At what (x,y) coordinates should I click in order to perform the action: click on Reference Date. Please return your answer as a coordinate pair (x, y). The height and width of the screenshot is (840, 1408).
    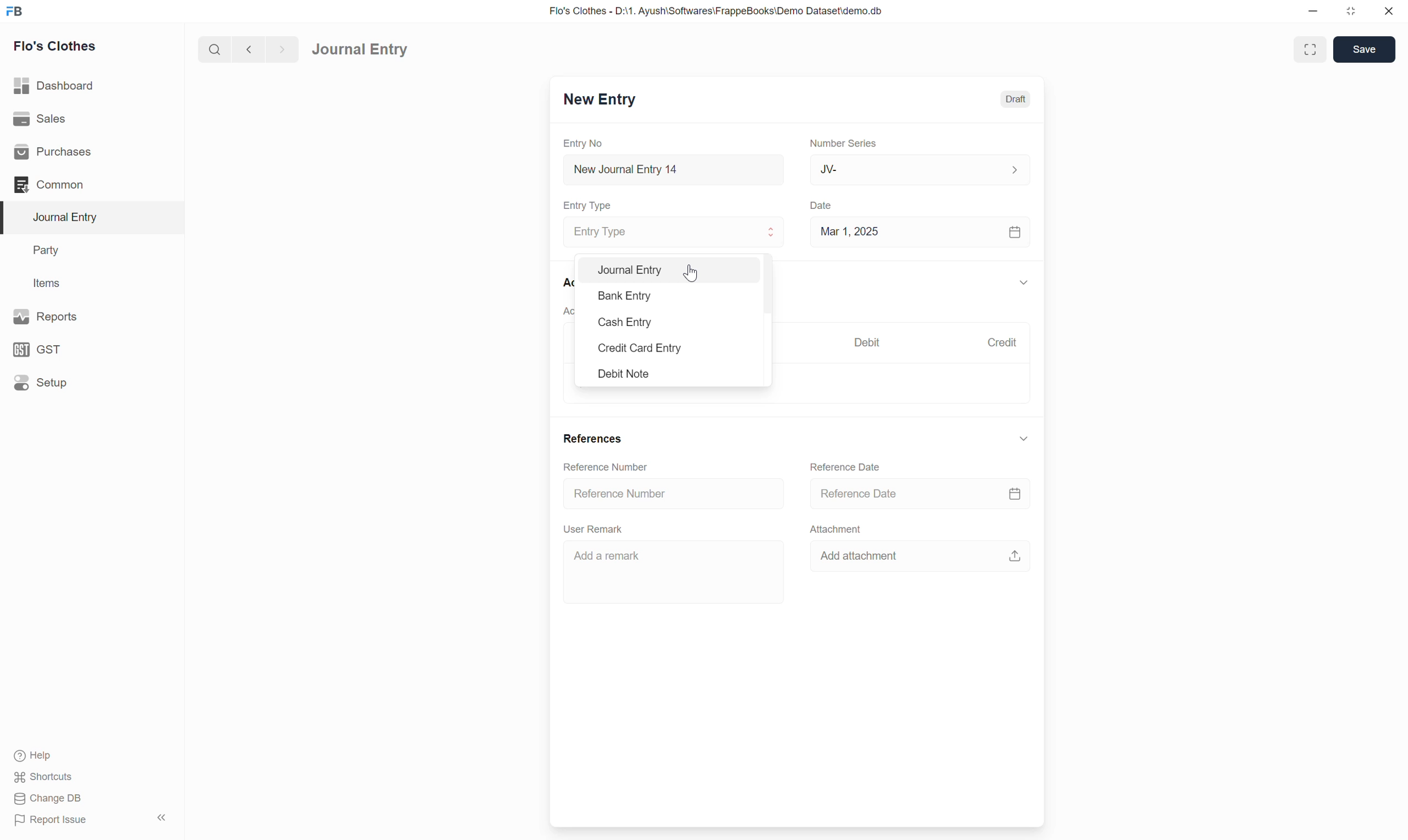
    Looking at the image, I should click on (847, 466).